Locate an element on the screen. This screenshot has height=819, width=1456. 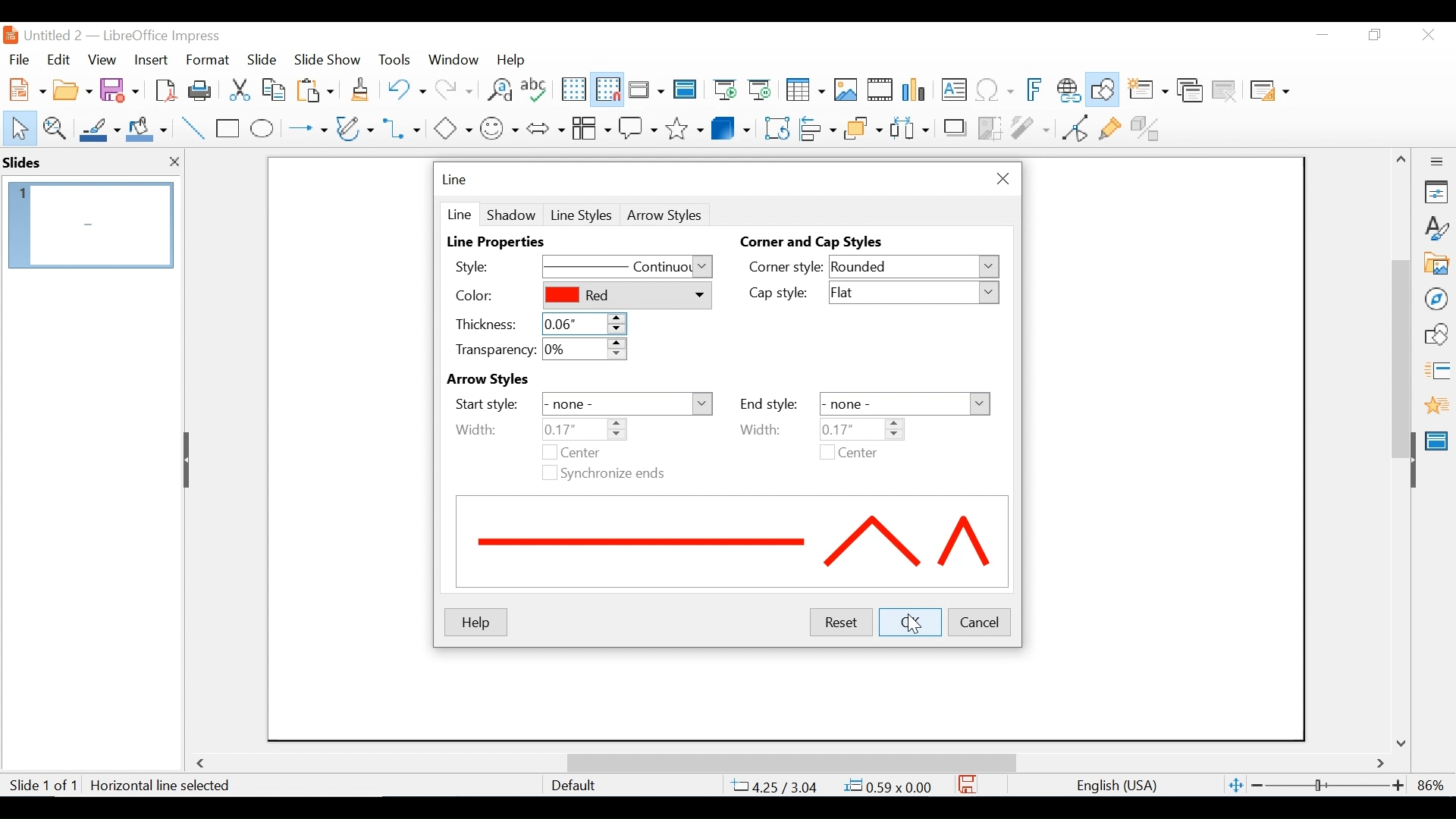
Width is located at coordinates (771, 429).